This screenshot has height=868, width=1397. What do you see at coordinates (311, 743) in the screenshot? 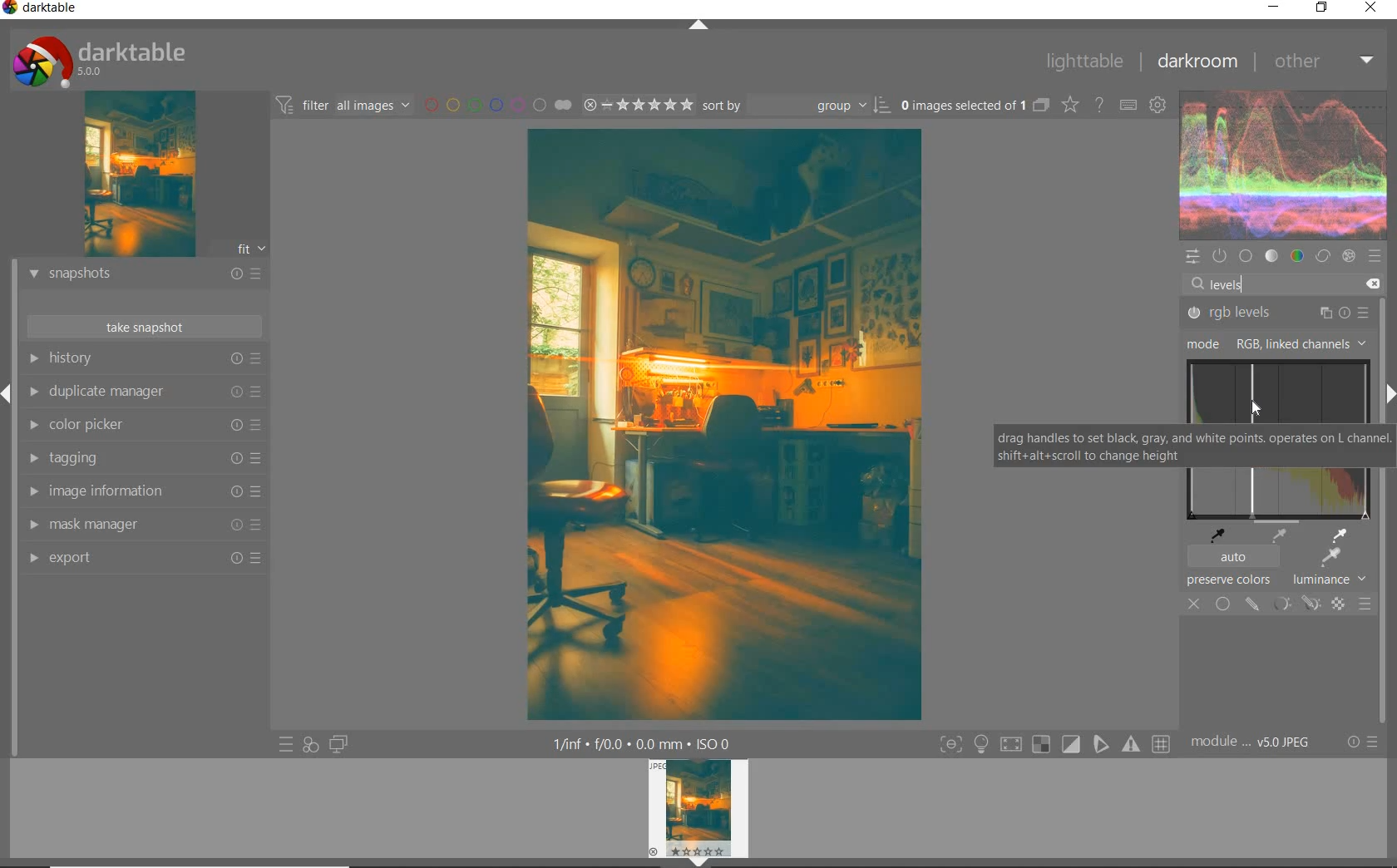
I see `quick access for applying any of your styles` at bounding box center [311, 743].